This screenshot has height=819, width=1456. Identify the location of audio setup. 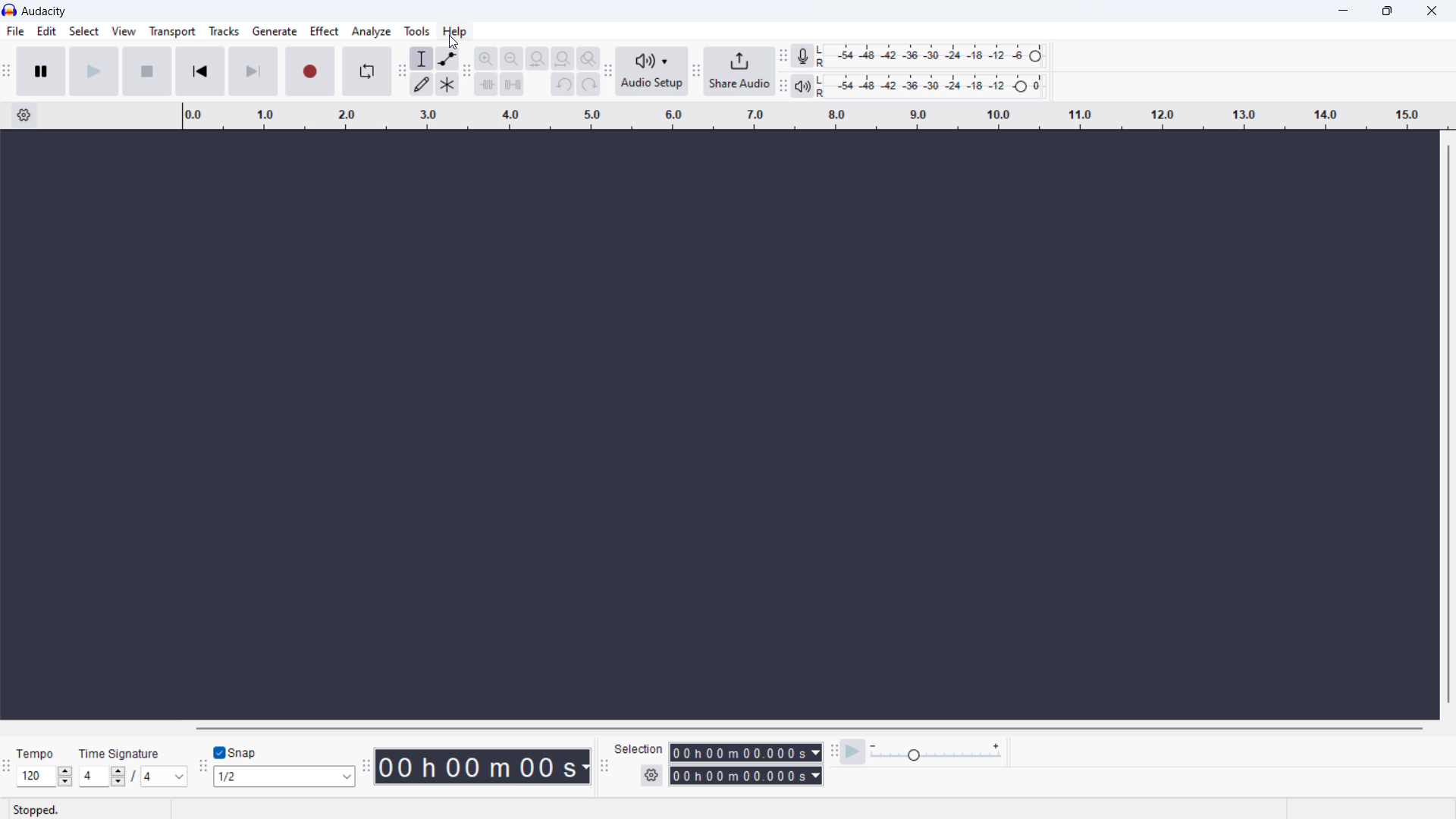
(654, 71).